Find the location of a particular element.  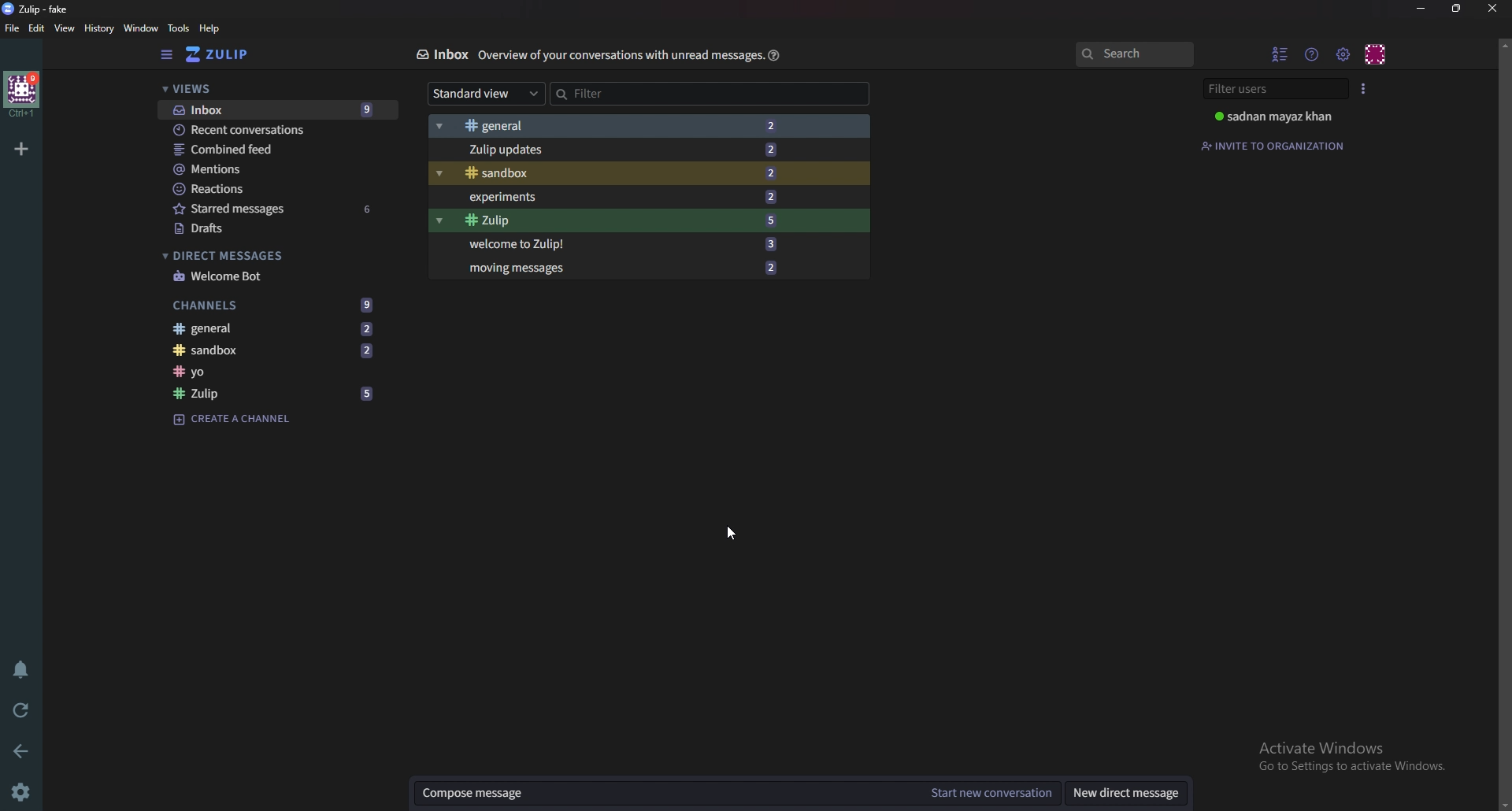

cursor is located at coordinates (732, 531).